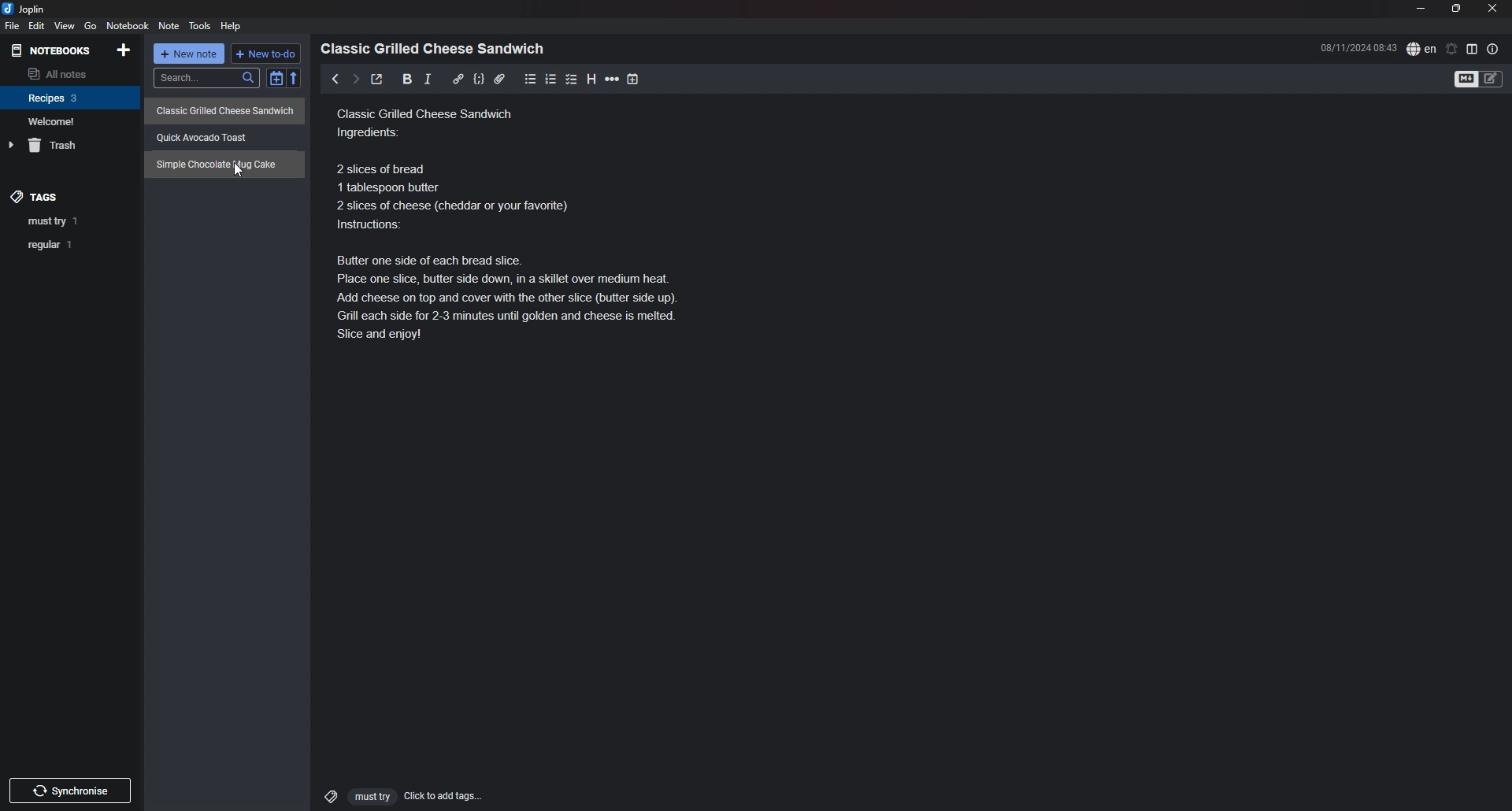 The width and height of the screenshot is (1512, 811). I want to click on spell check, so click(1421, 48).